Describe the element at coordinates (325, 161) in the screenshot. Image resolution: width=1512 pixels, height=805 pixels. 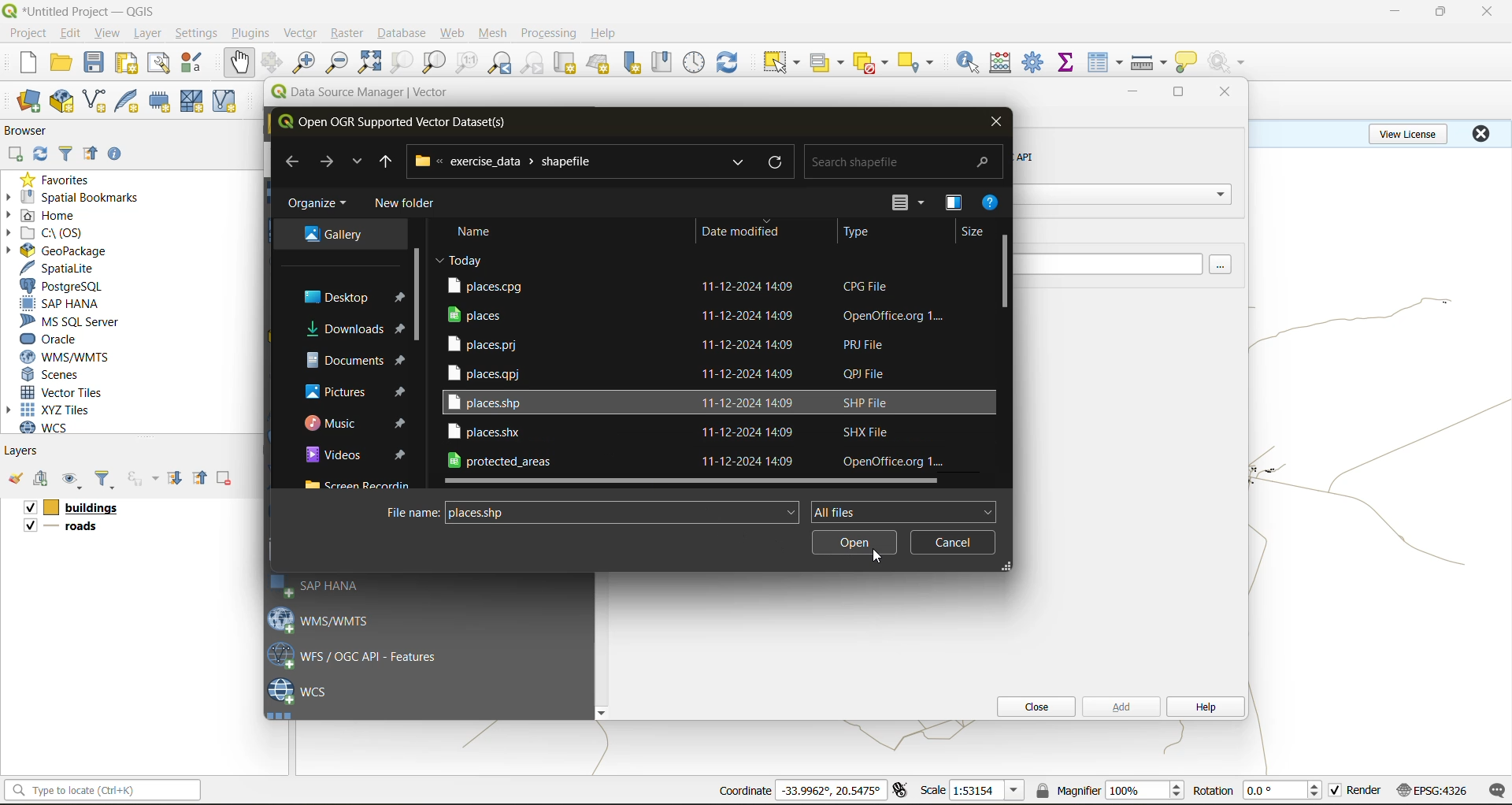
I see `forward` at that location.